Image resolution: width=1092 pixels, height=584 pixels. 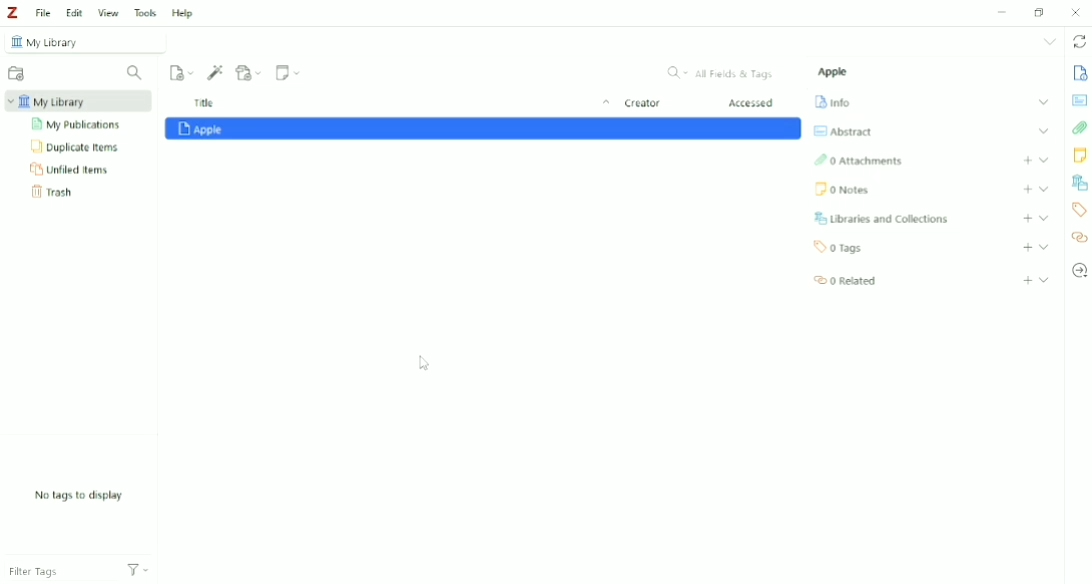 What do you see at coordinates (753, 104) in the screenshot?
I see `Accessed` at bounding box center [753, 104].